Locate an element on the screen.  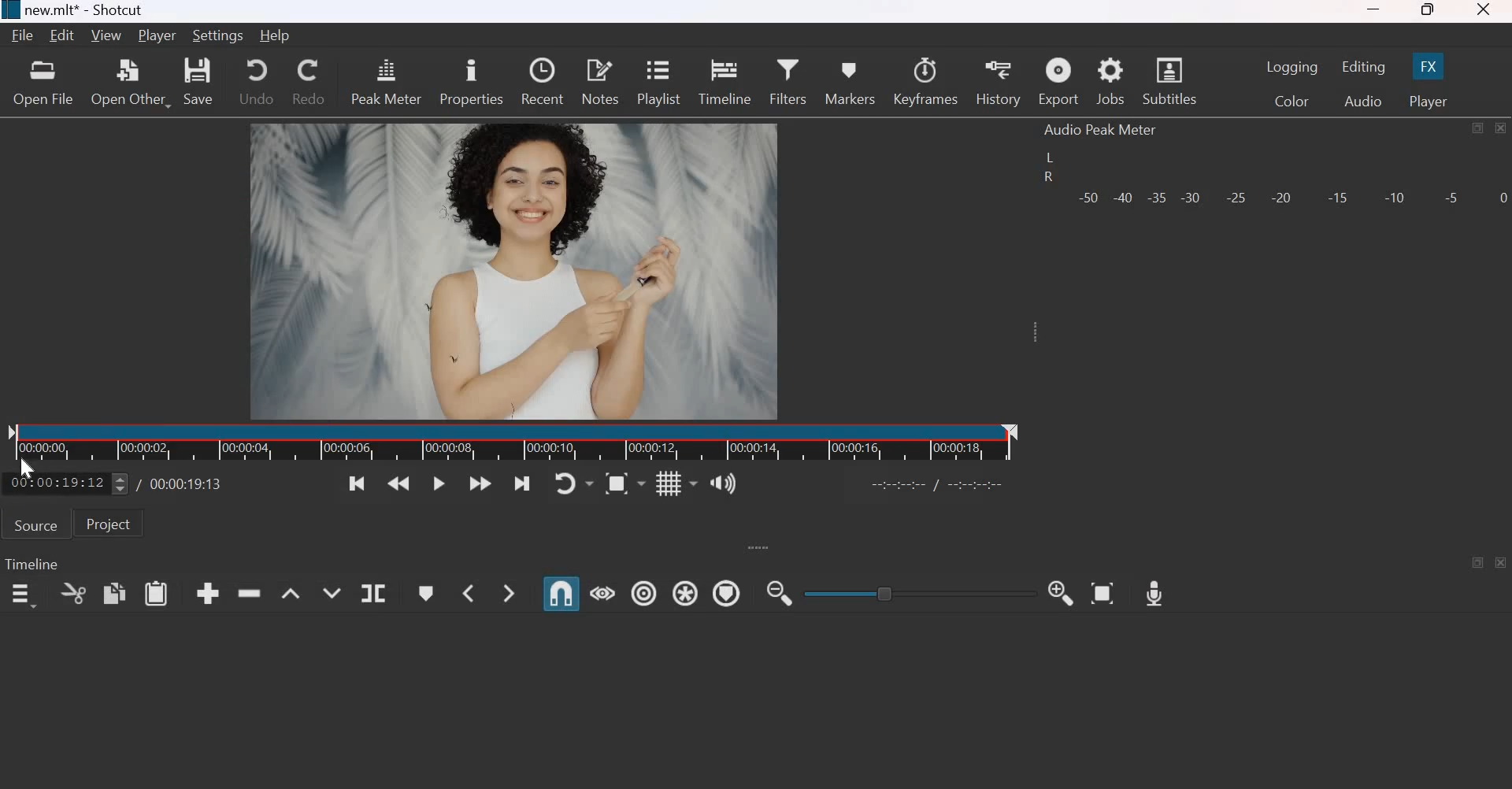
Overwrite is located at coordinates (329, 591).